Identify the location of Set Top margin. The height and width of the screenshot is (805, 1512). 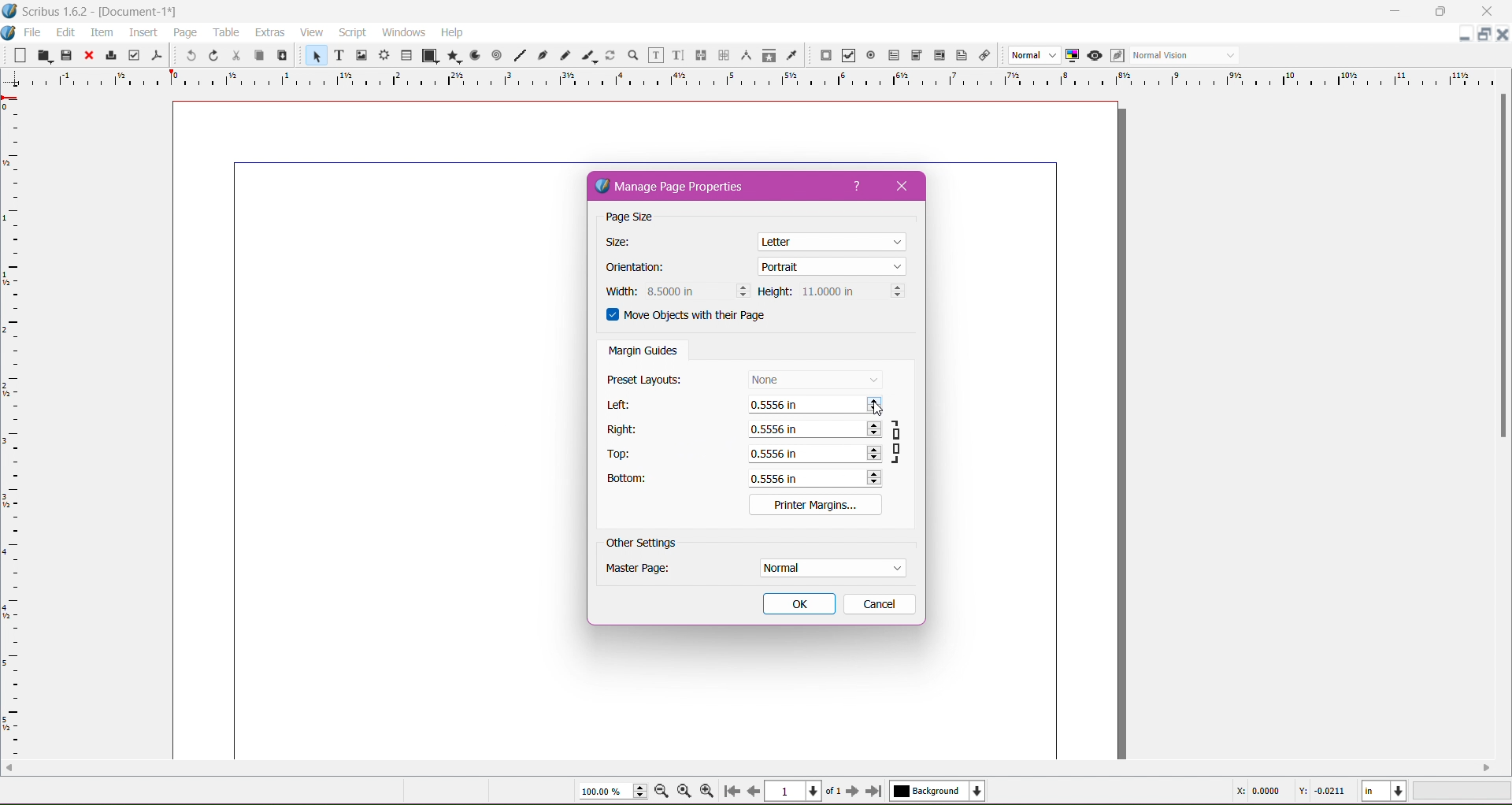
(813, 453).